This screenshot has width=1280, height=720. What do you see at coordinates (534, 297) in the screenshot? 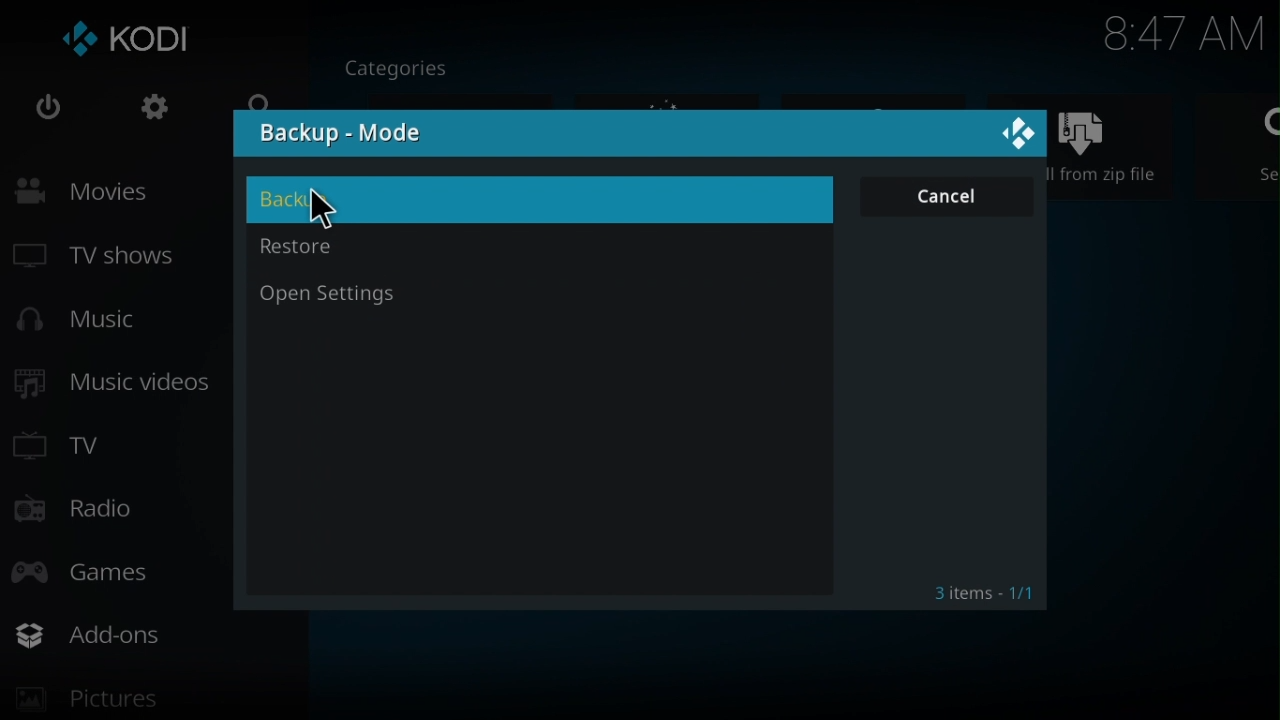
I see `open settings` at bounding box center [534, 297].